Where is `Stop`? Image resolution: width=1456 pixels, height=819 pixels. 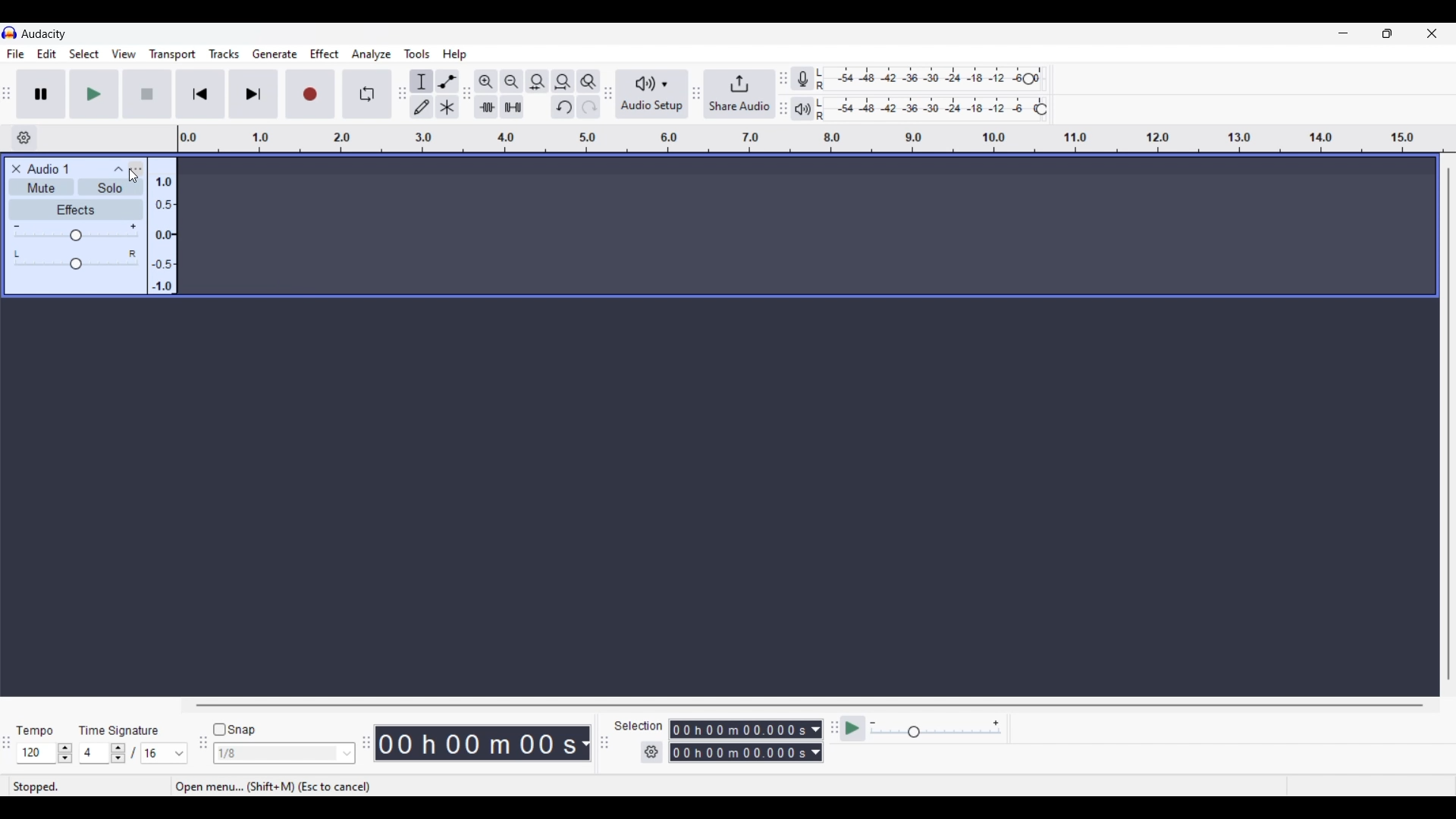
Stop is located at coordinates (148, 94).